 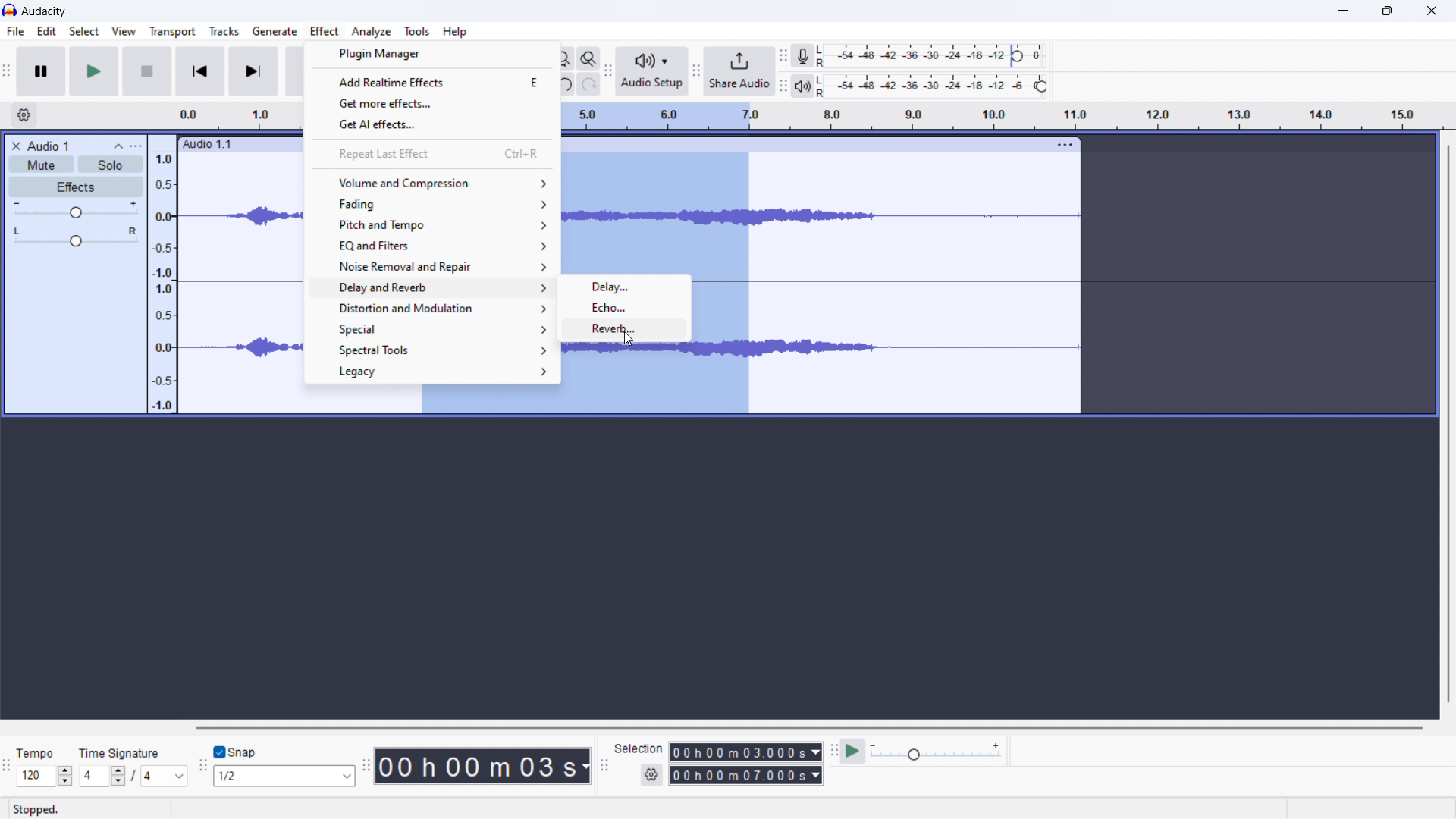 What do you see at coordinates (567, 83) in the screenshot?
I see `undo` at bounding box center [567, 83].